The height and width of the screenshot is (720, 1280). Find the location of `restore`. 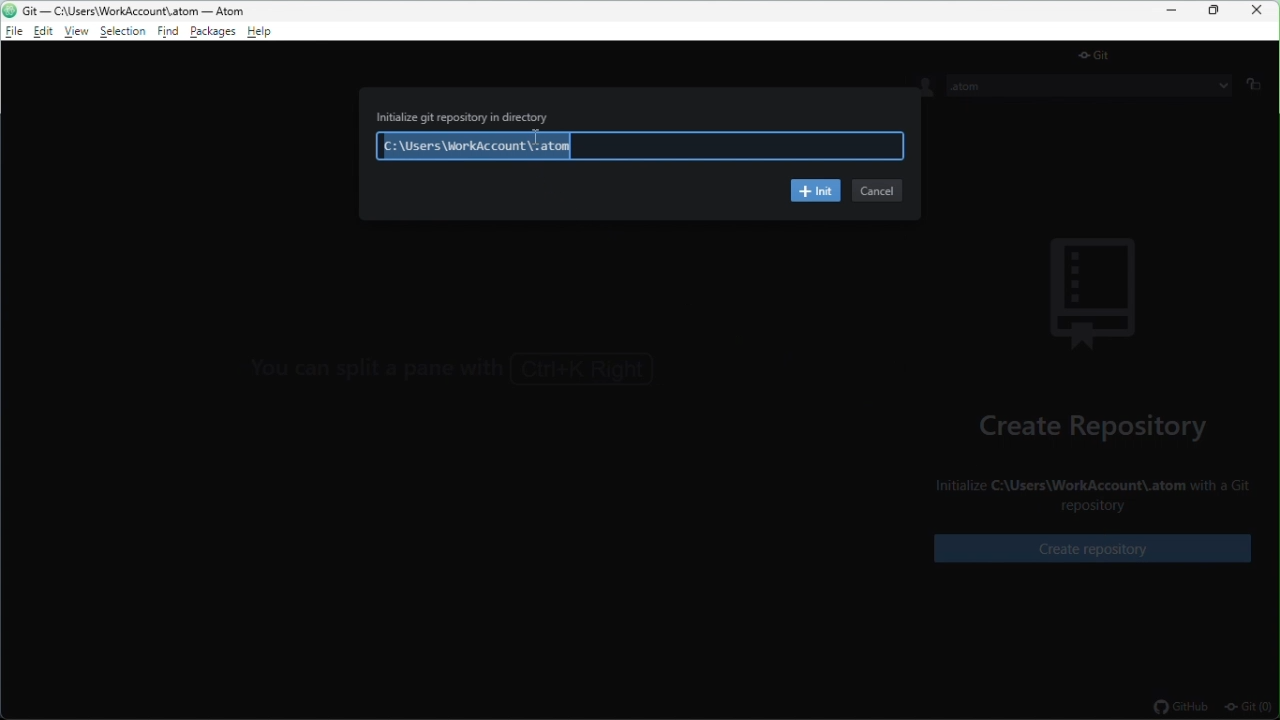

restore is located at coordinates (1216, 10).